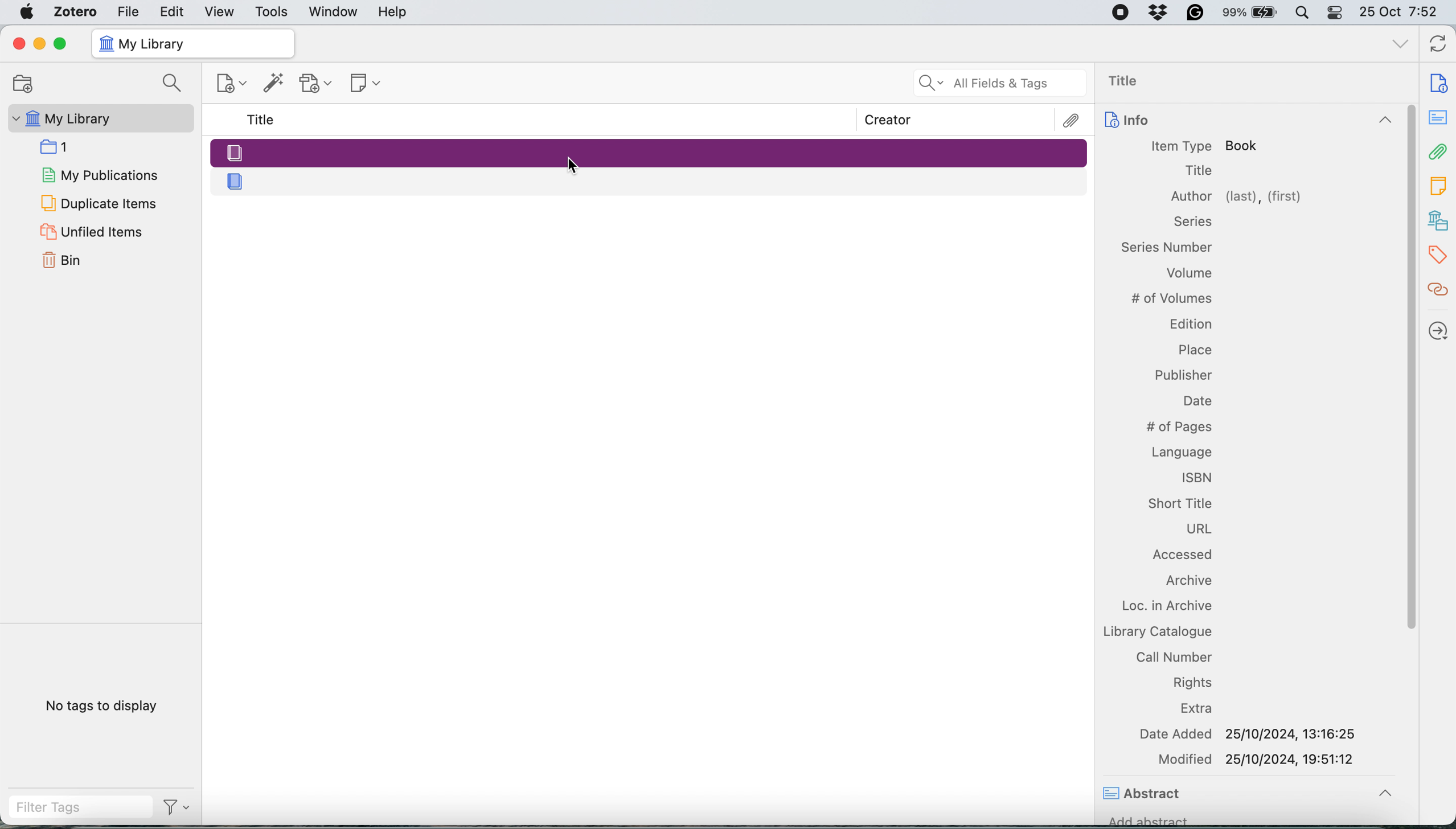 The height and width of the screenshot is (829, 1456). I want to click on Attachments, so click(1072, 121).